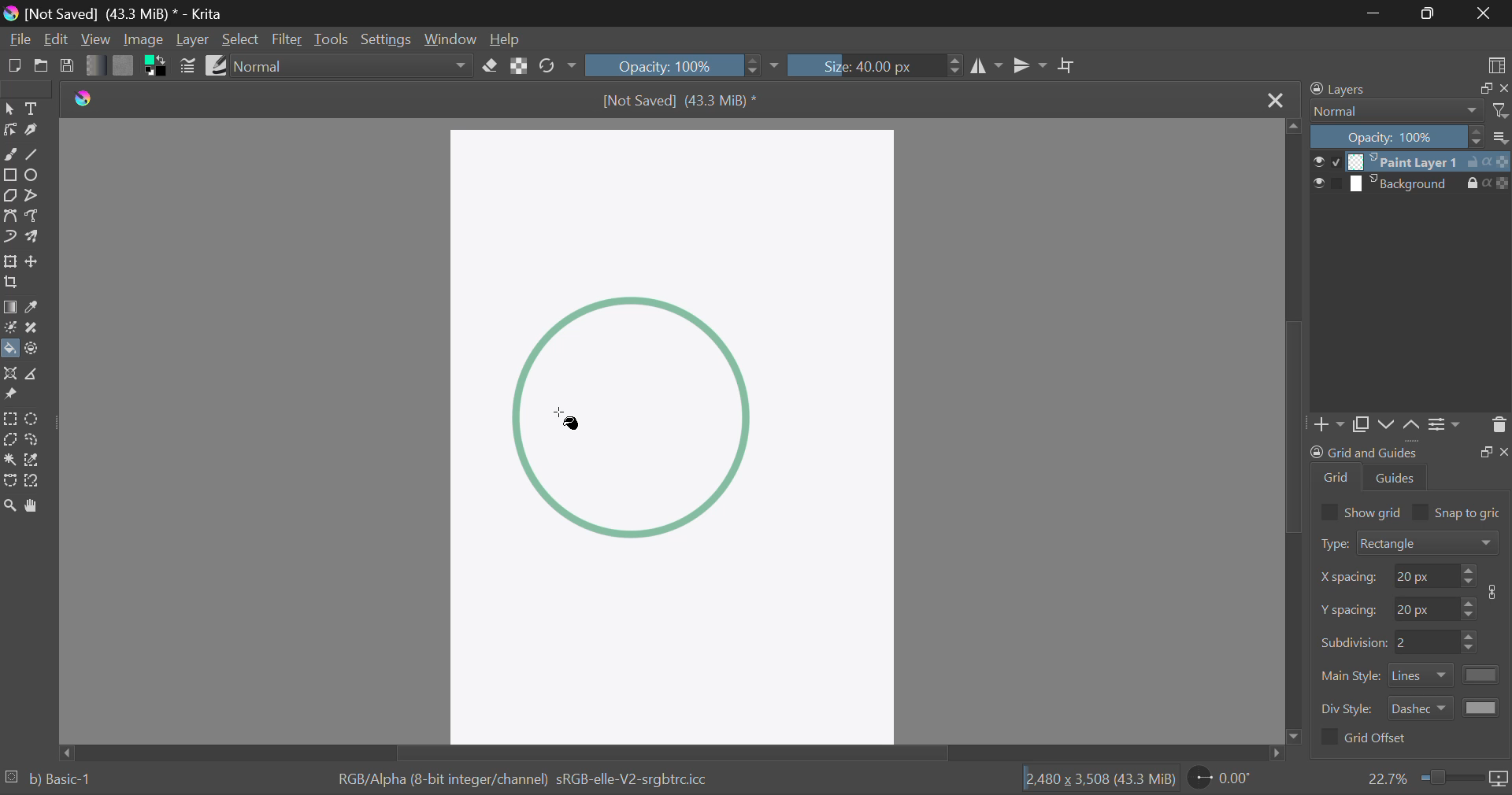 This screenshot has height=795, width=1512. I want to click on Ellipses Selected , so click(31, 175).